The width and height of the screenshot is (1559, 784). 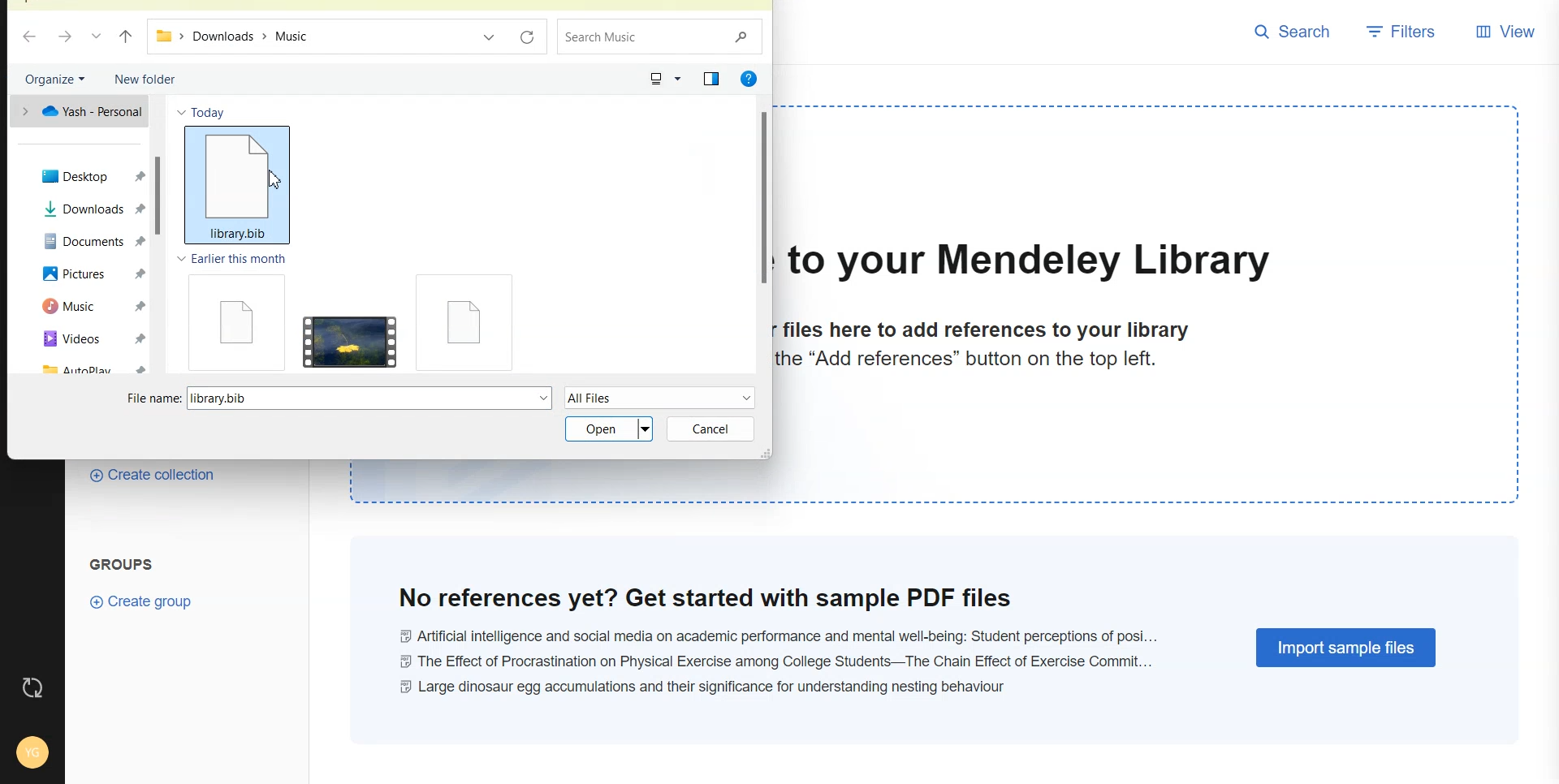 I want to click on Music, so click(x=85, y=304).